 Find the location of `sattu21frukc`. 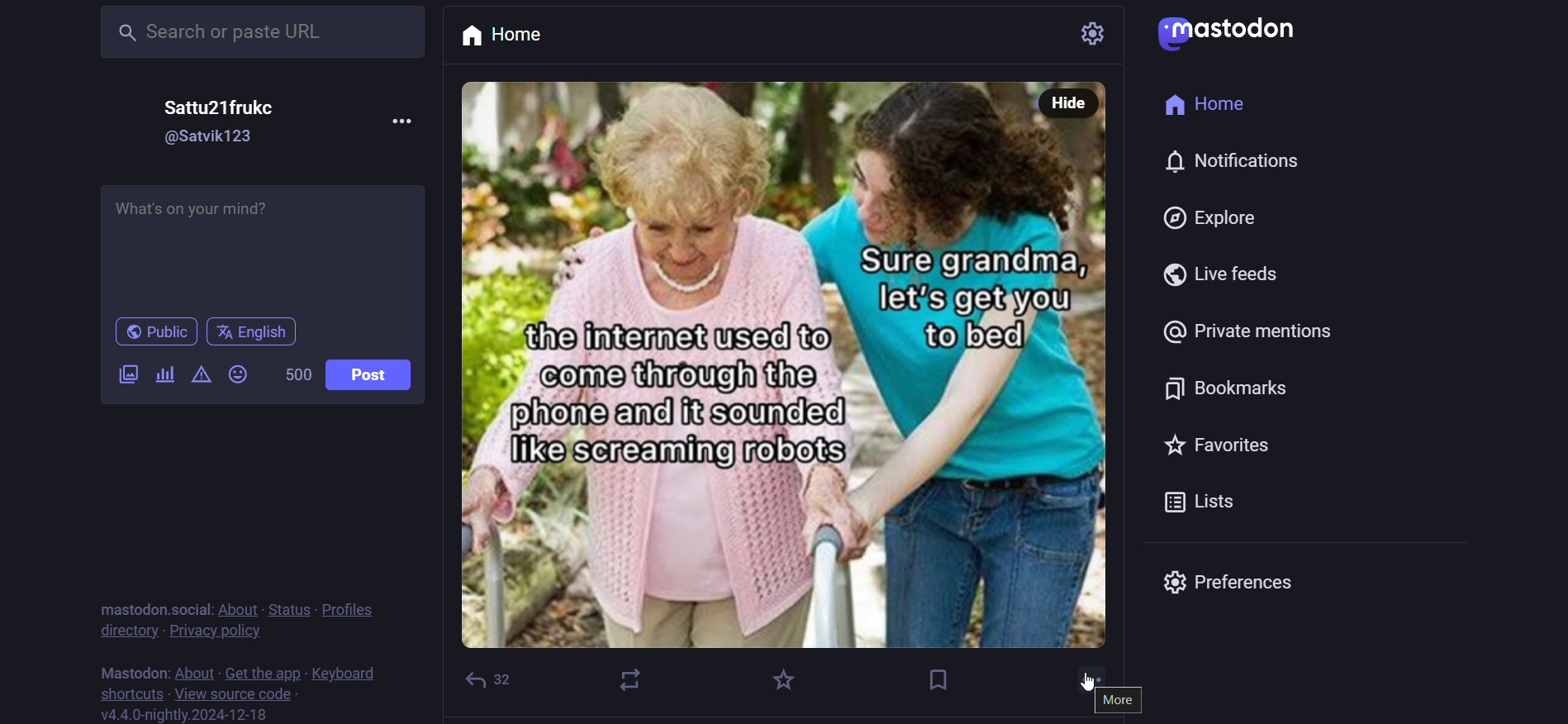

sattu21frukc is located at coordinates (232, 103).